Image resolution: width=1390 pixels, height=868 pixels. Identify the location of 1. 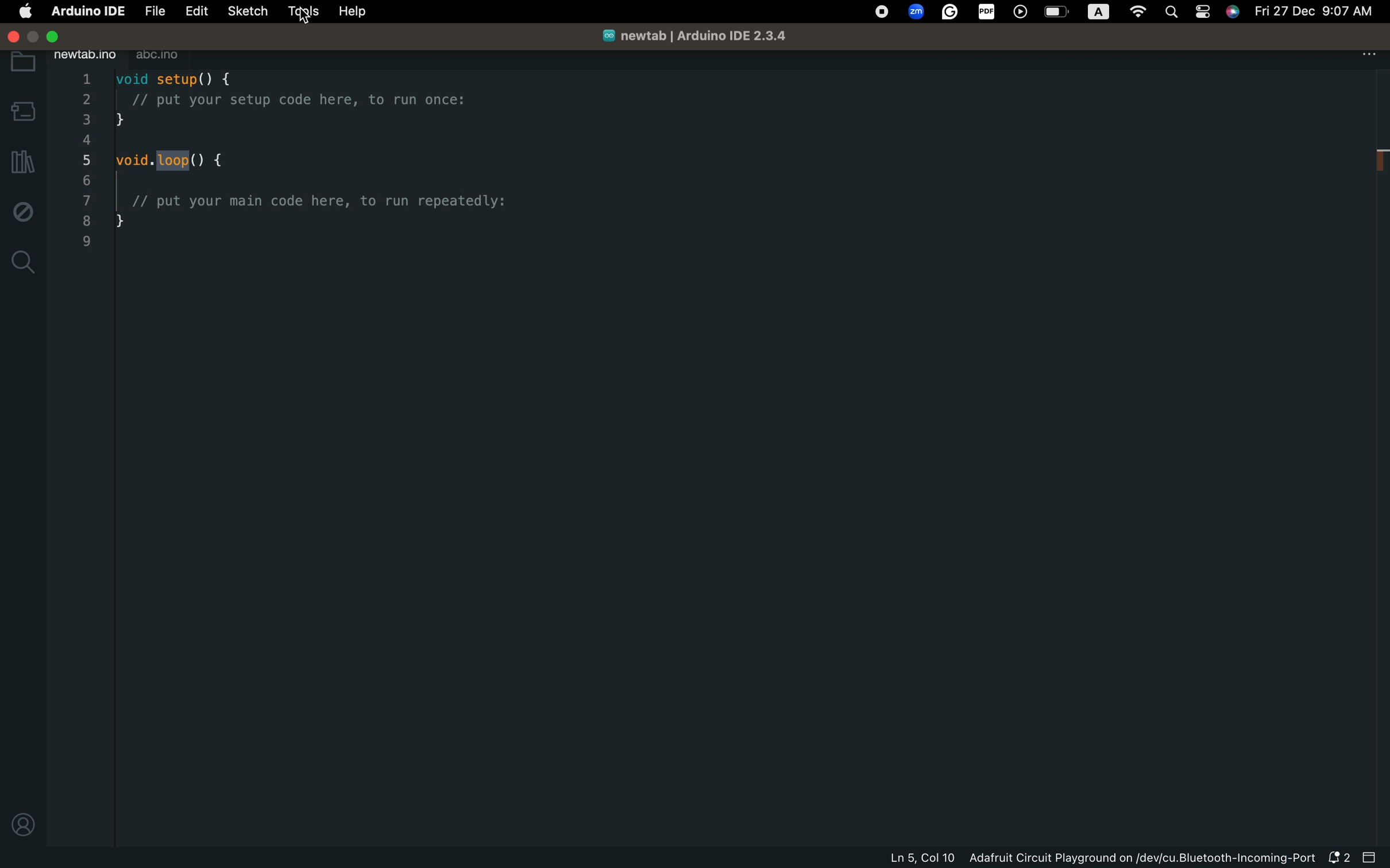
(84, 79).